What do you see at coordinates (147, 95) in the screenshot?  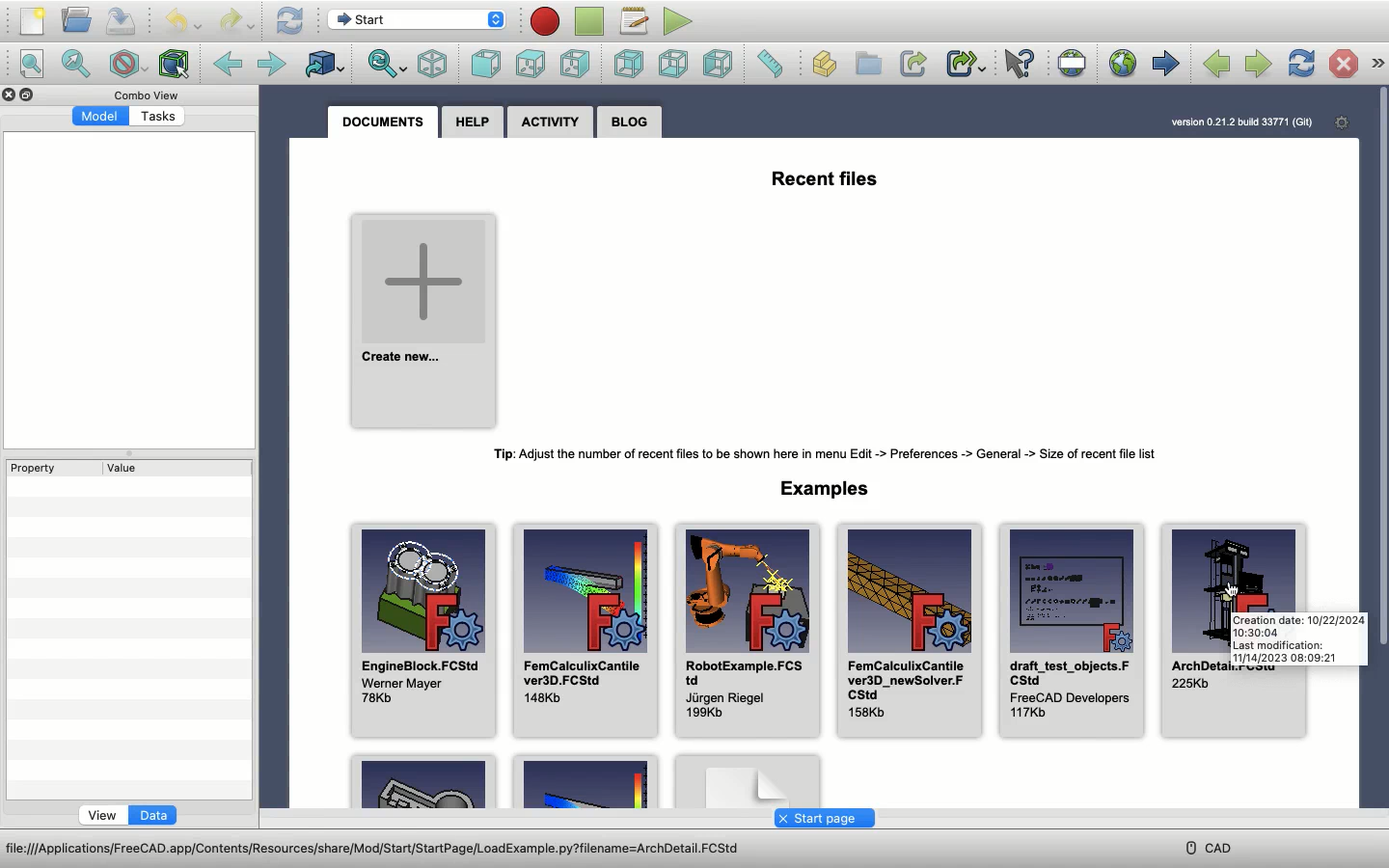 I see `Combo view` at bounding box center [147, 95].